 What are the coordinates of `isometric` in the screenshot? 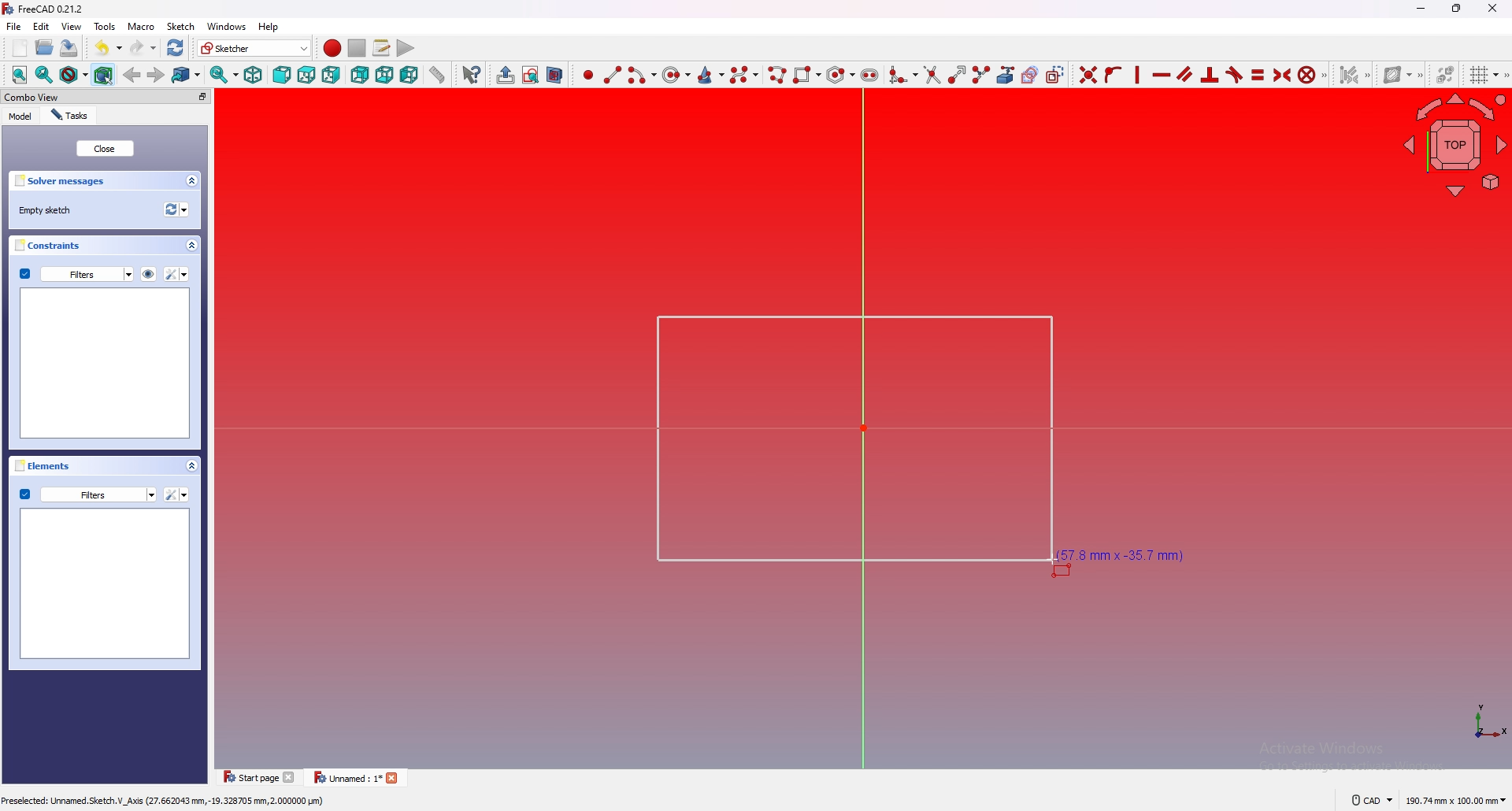 It's located at (254, 75).